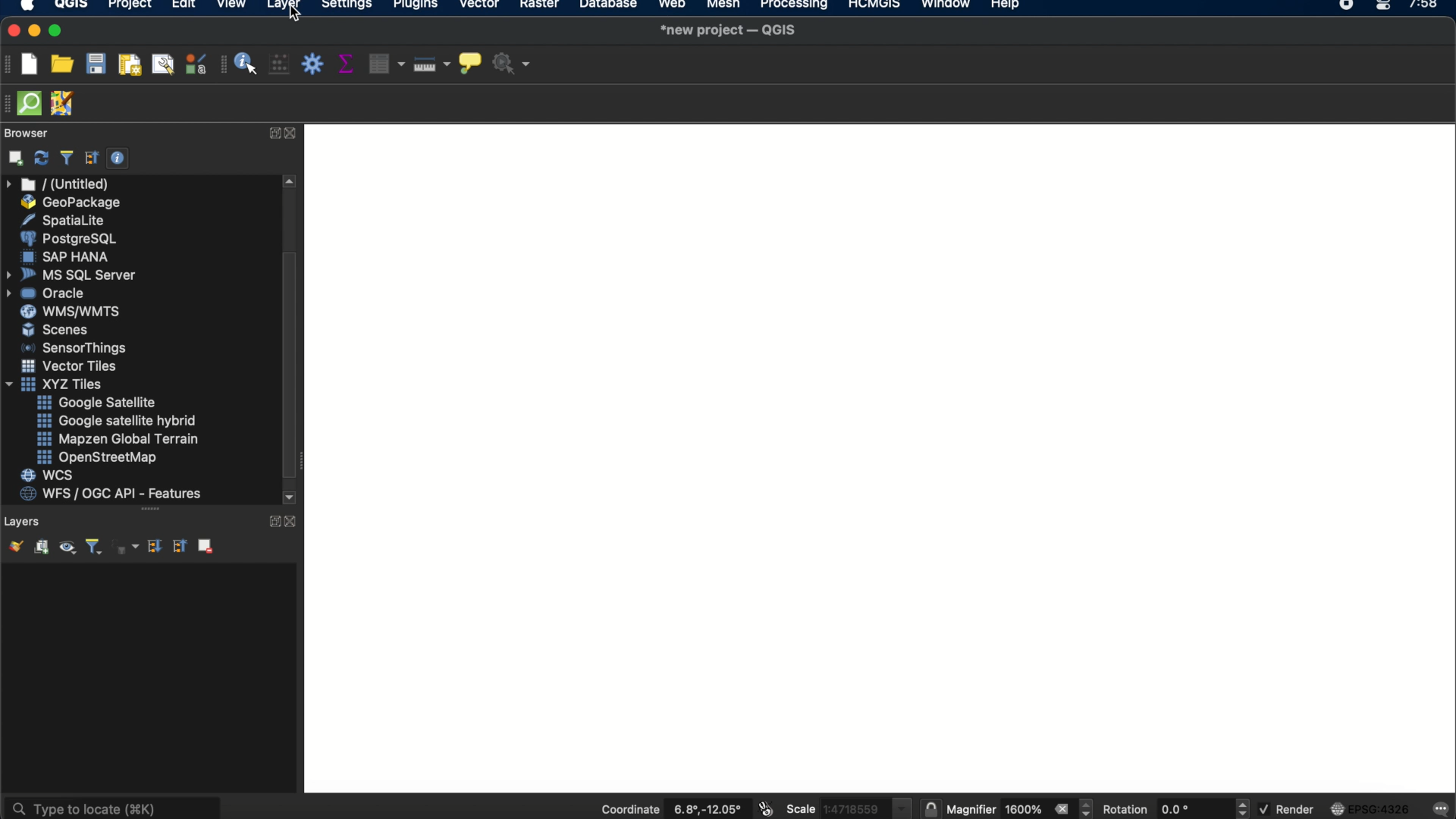  I want to click on show layout, so click(163, 64).